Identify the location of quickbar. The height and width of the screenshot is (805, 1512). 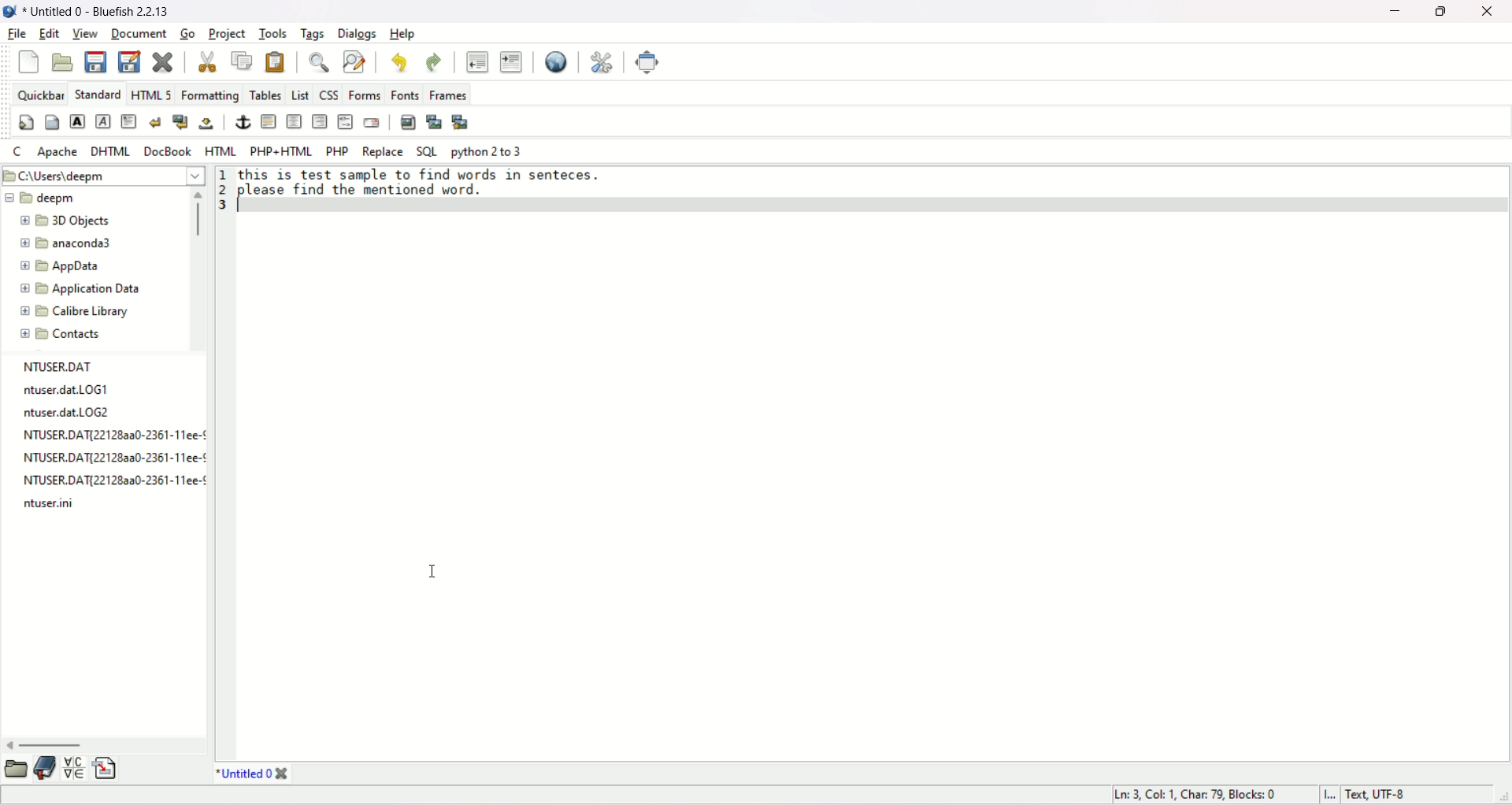
(42, 95).